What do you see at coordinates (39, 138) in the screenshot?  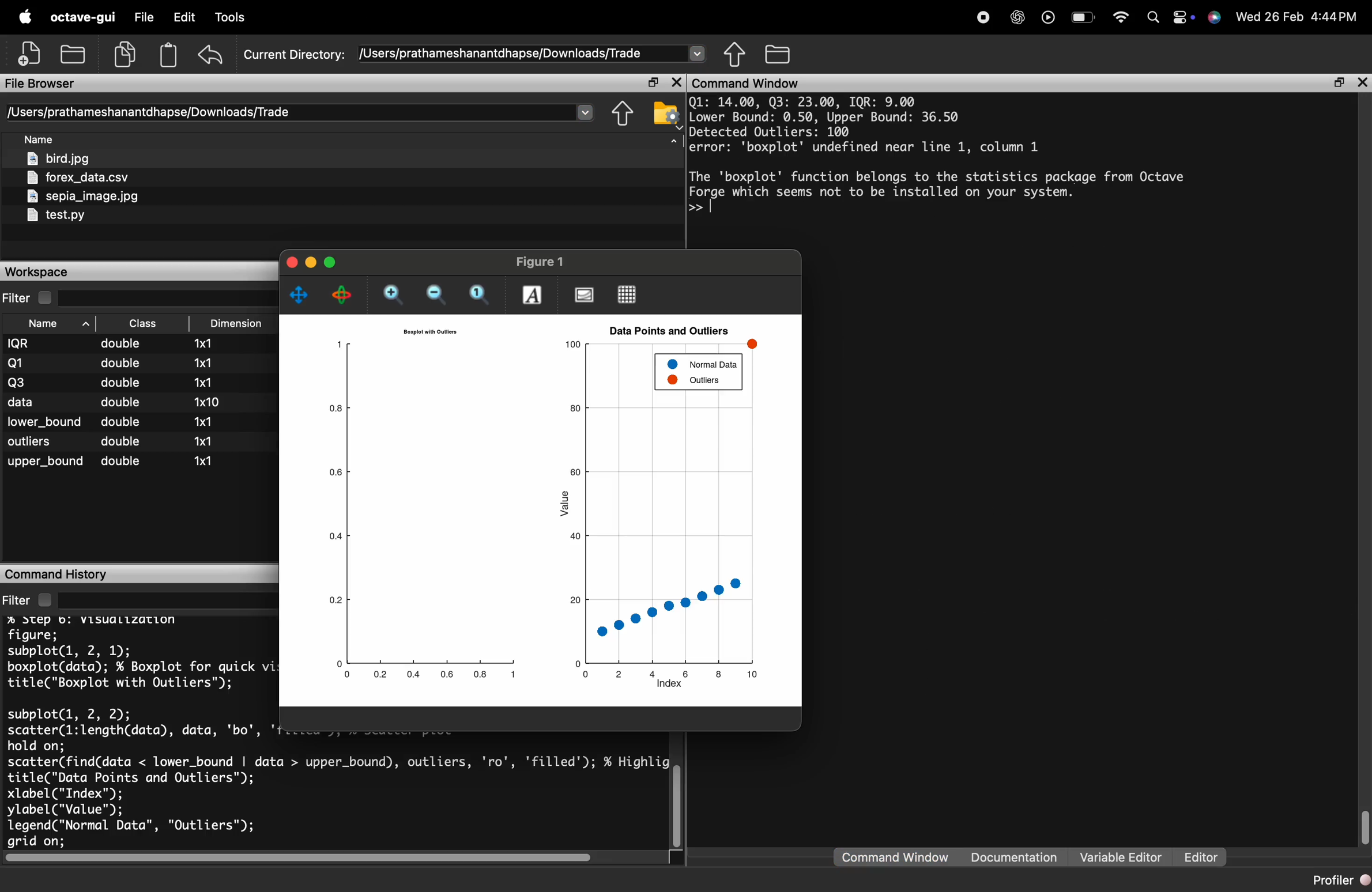 I see `Name` at bounding box center [39, 138].